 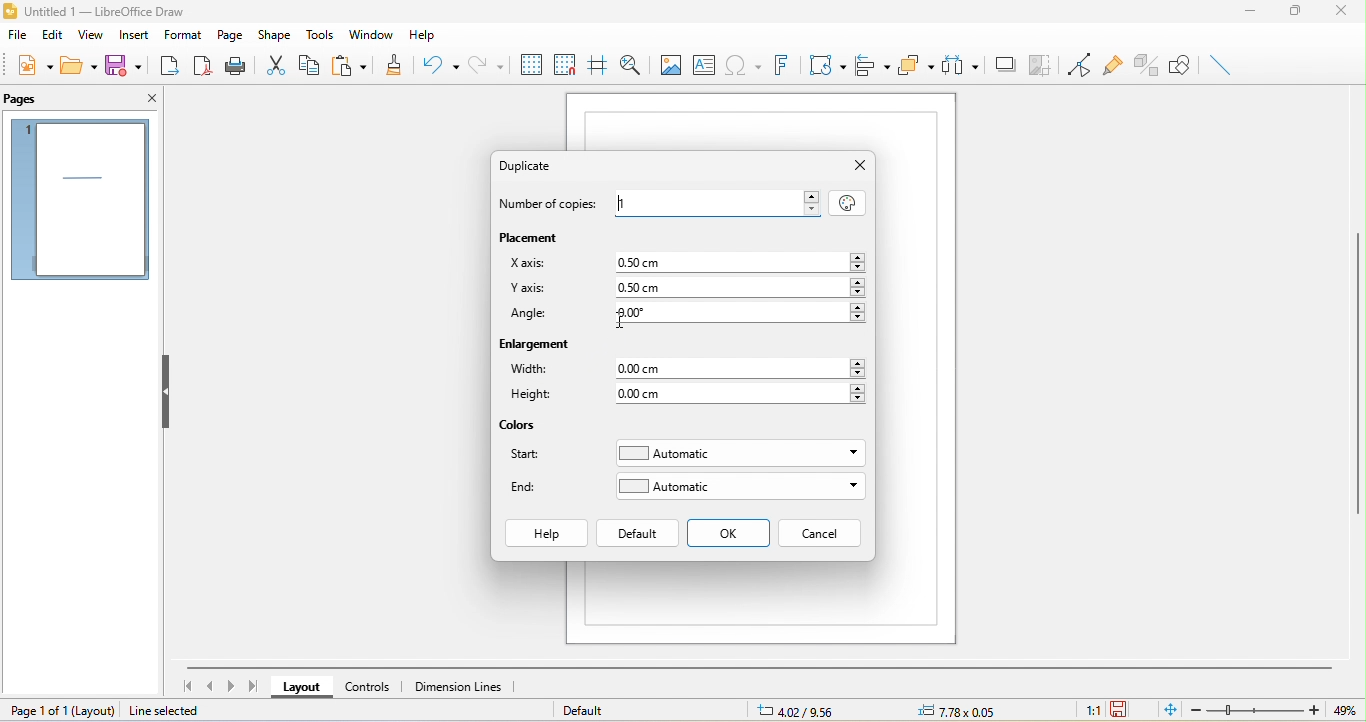 What do you see at coordinates (704, 64) in the screenshot?
I see `text box` at bounding box center [704, 64].